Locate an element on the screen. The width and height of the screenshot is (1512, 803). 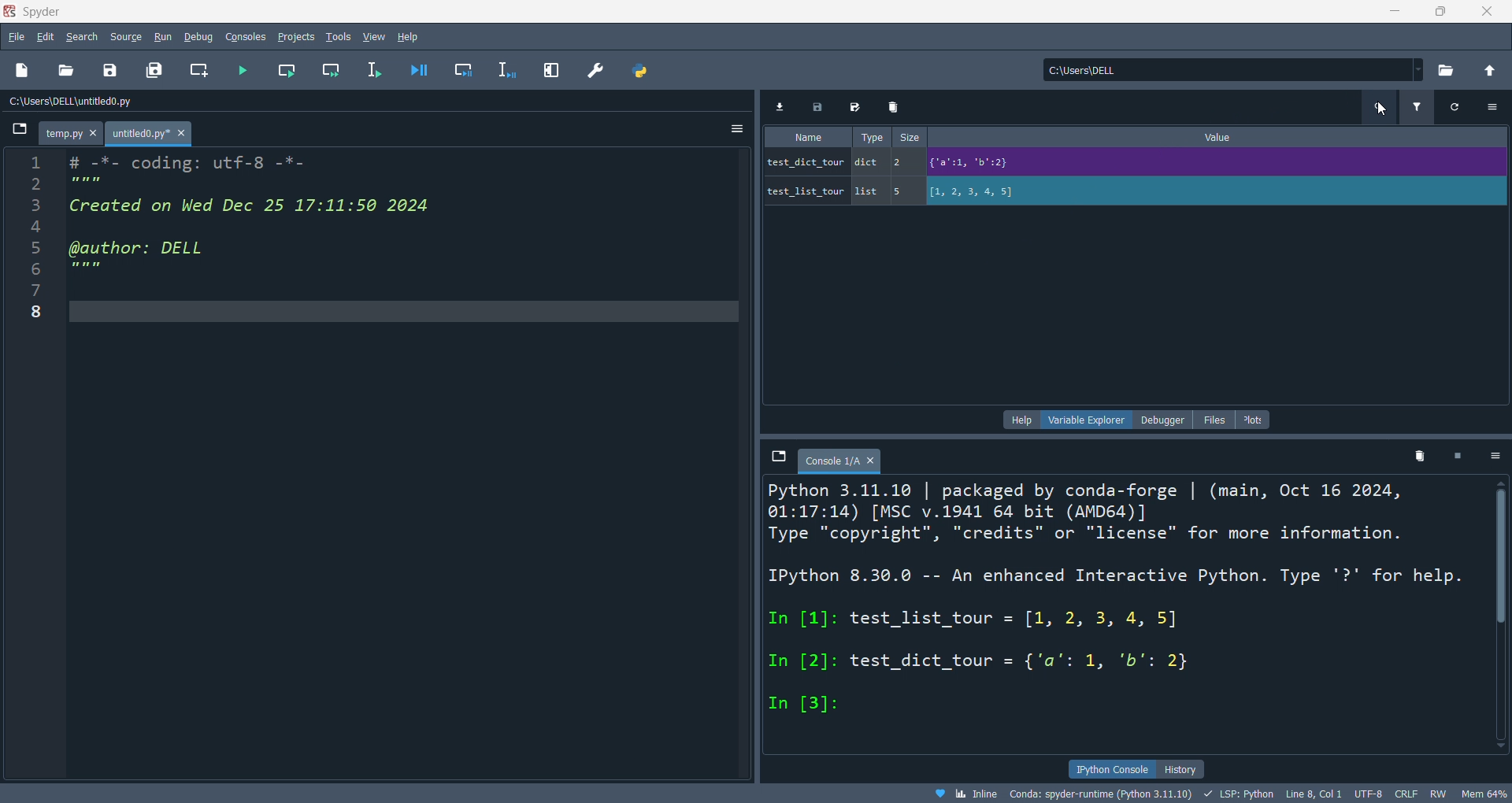
save all is located at coordinates (151, 69).